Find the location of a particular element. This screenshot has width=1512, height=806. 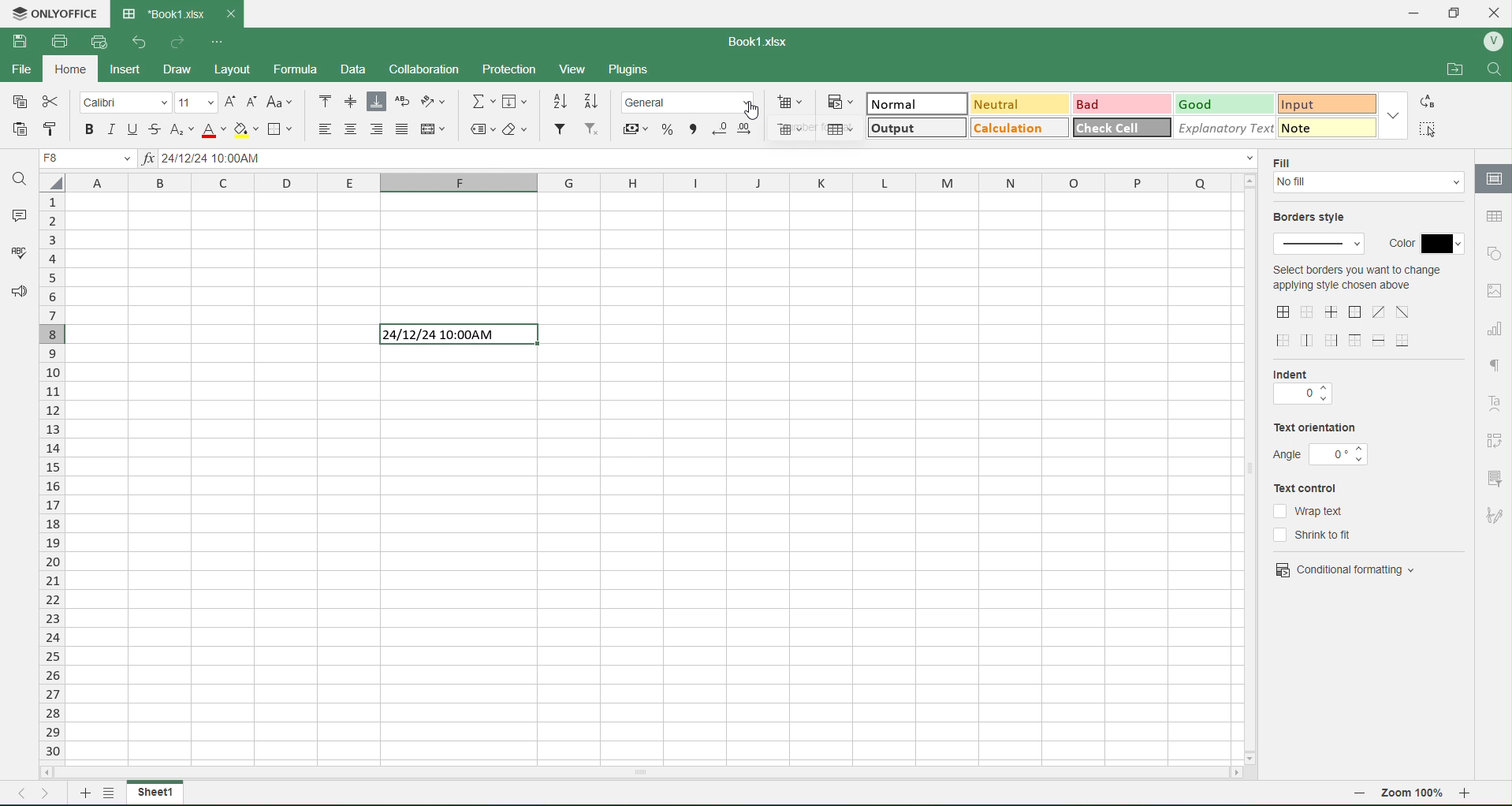

Plugins is located at coordinates (635, 70).